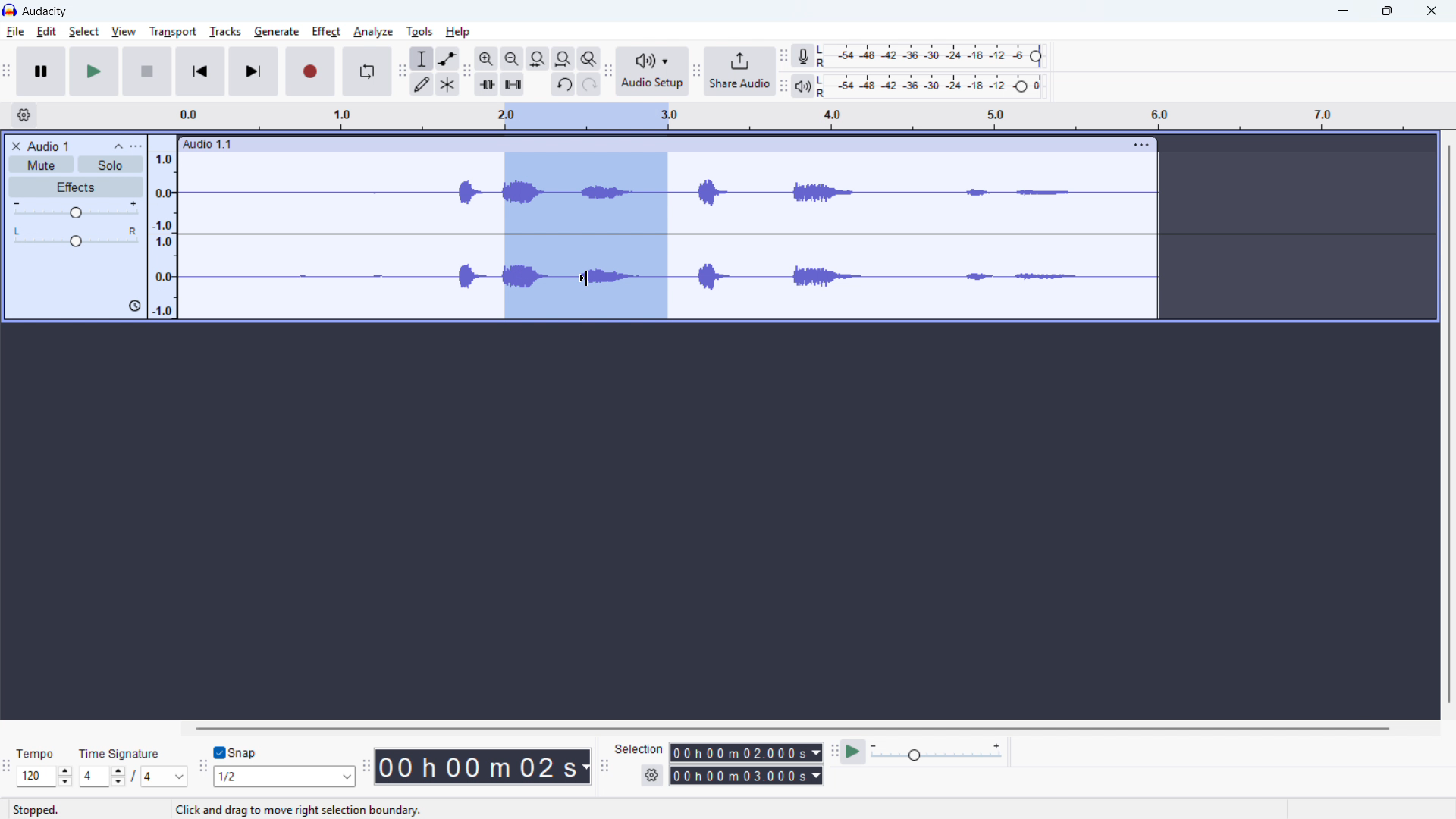  What do you see at coordinates (1345, 12) in the screenshot?
I see `minimise` at bounding box center [1345, 12].